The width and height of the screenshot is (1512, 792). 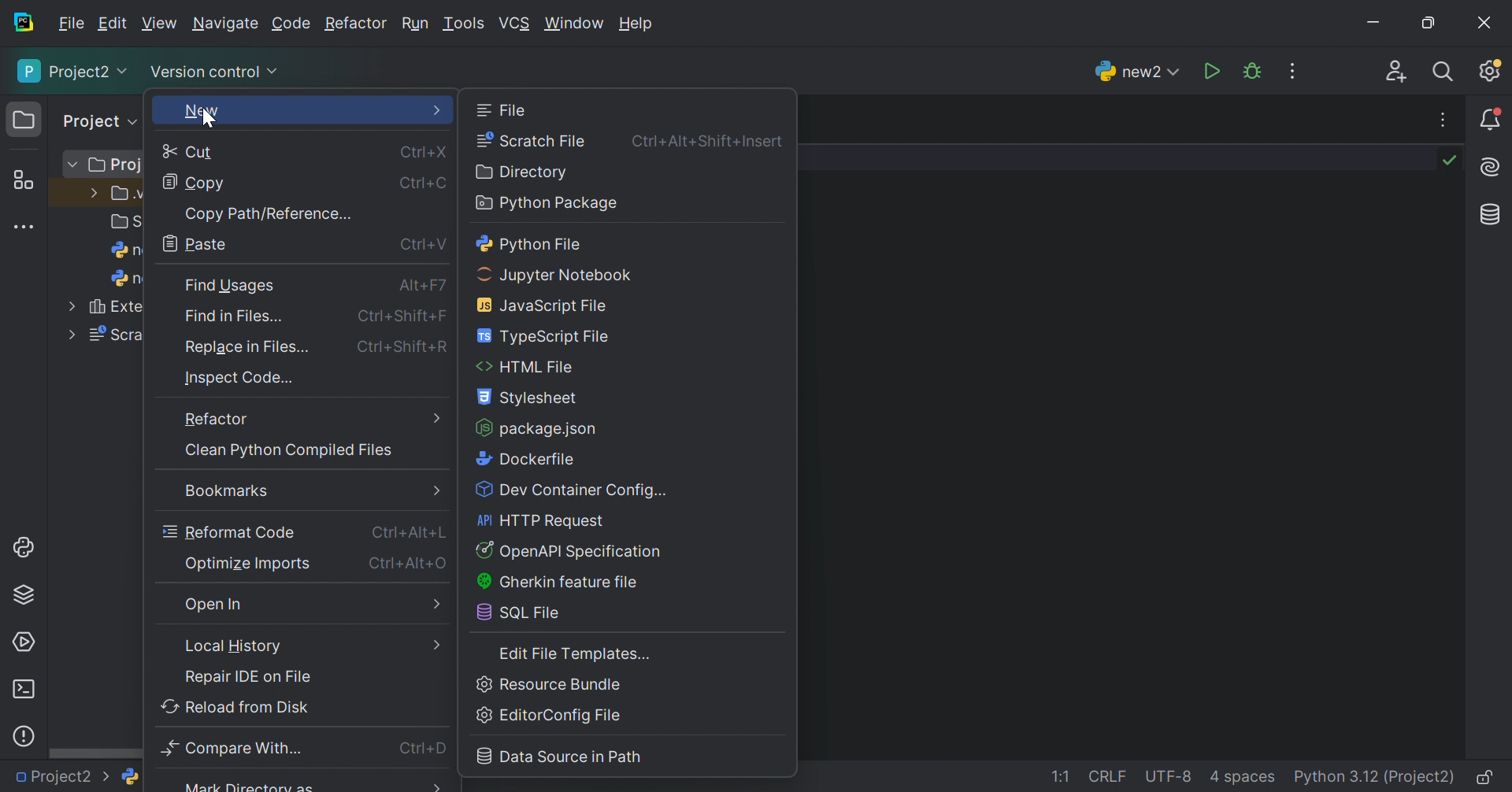 I want to click on python logo, so click(x=131, y=778).